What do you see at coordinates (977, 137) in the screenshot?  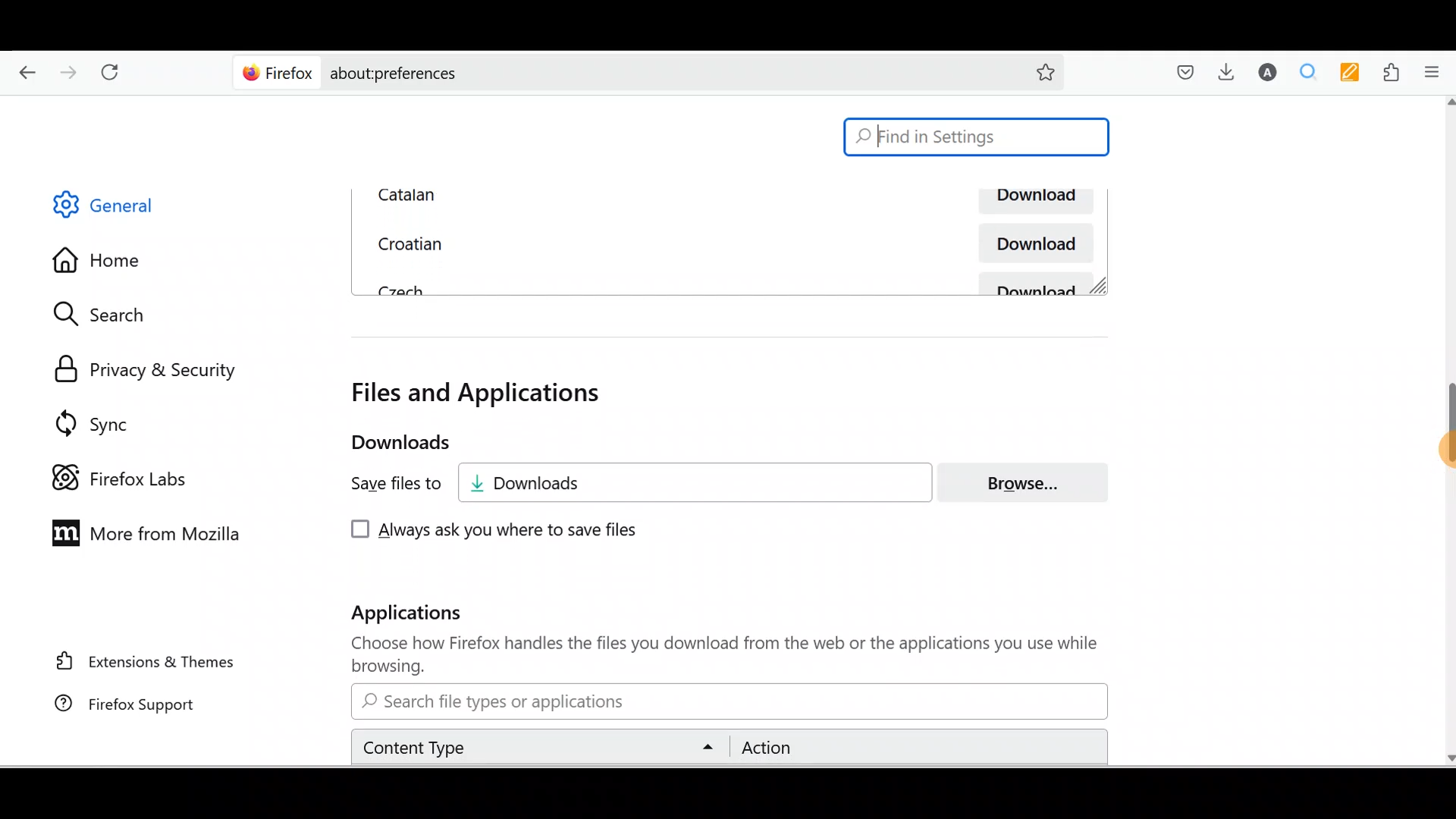 I see `Search bar` at bounding box center [977, 137].